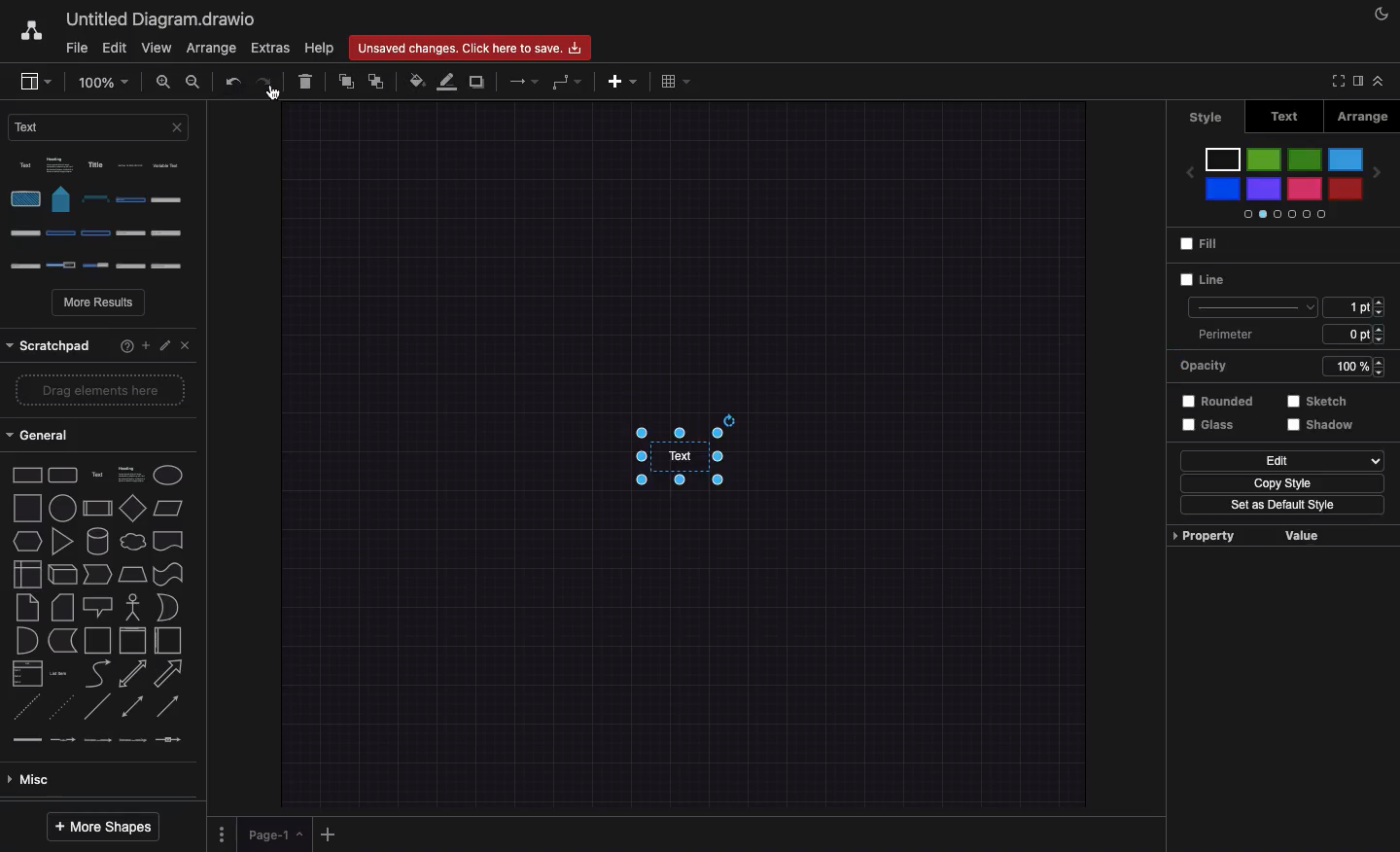 The height and width of the screenshot is (852, 1400). What do you see at coordinates (164, 341) in the screenshot?
I see `Edit` at bounding box center [164, 341].